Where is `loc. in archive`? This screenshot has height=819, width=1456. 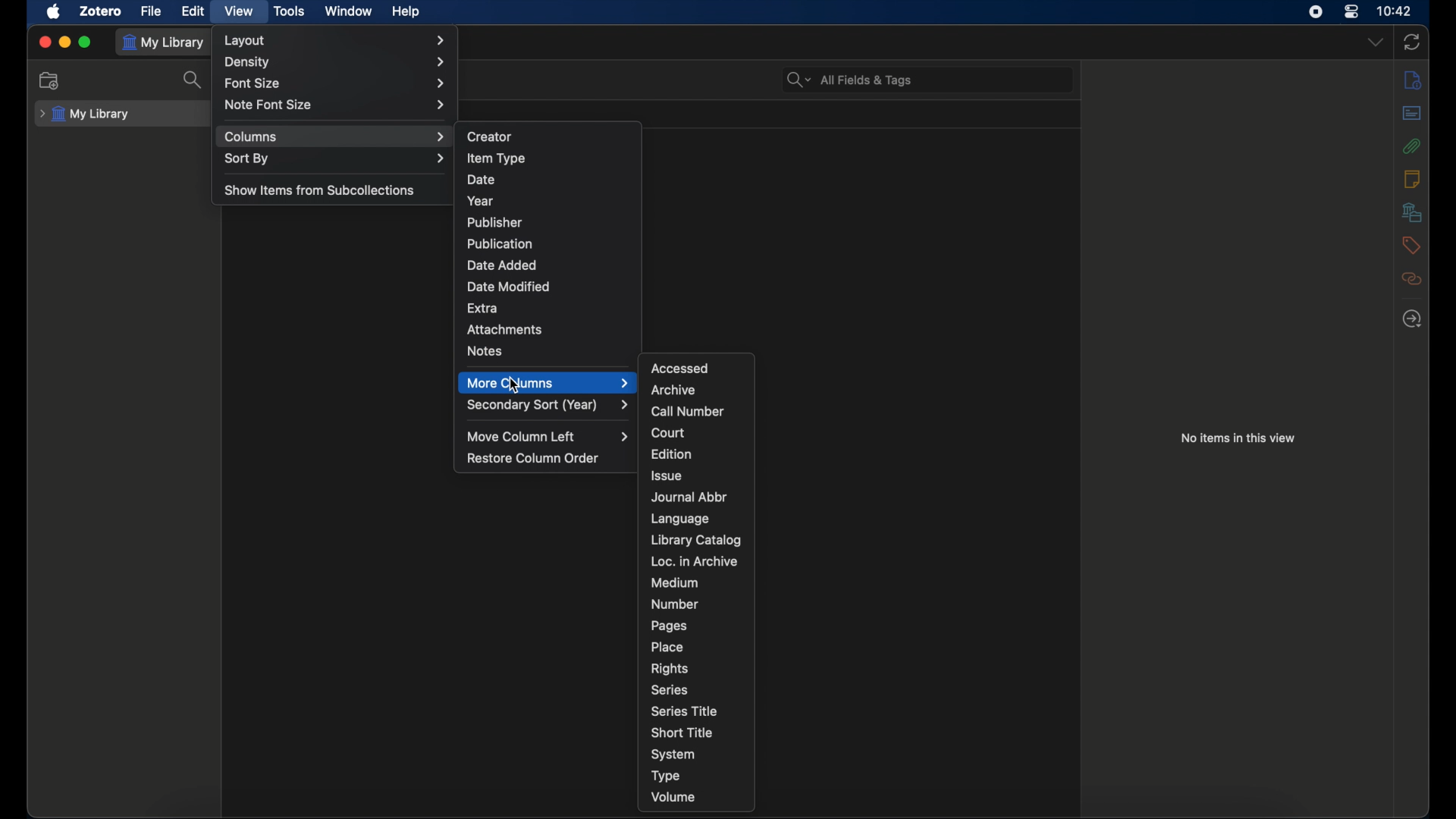
loc. in archive is located at coordinates (695, 561).